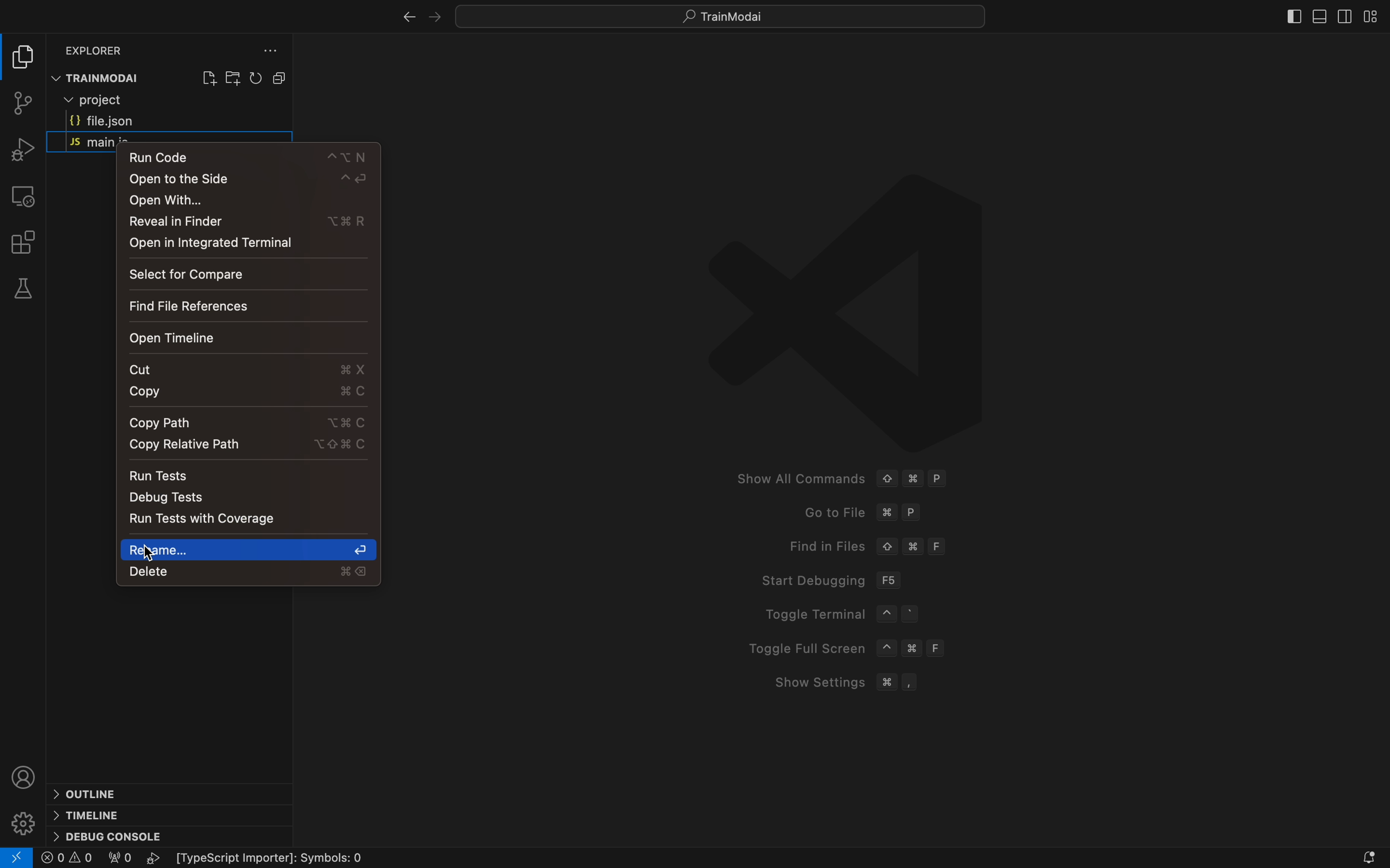 The height and width of the screenshot is (868, 1390). What do you see at coordinates (22, 148) in the screenshot?
I see `debugger` at bounding box center [22, 148].